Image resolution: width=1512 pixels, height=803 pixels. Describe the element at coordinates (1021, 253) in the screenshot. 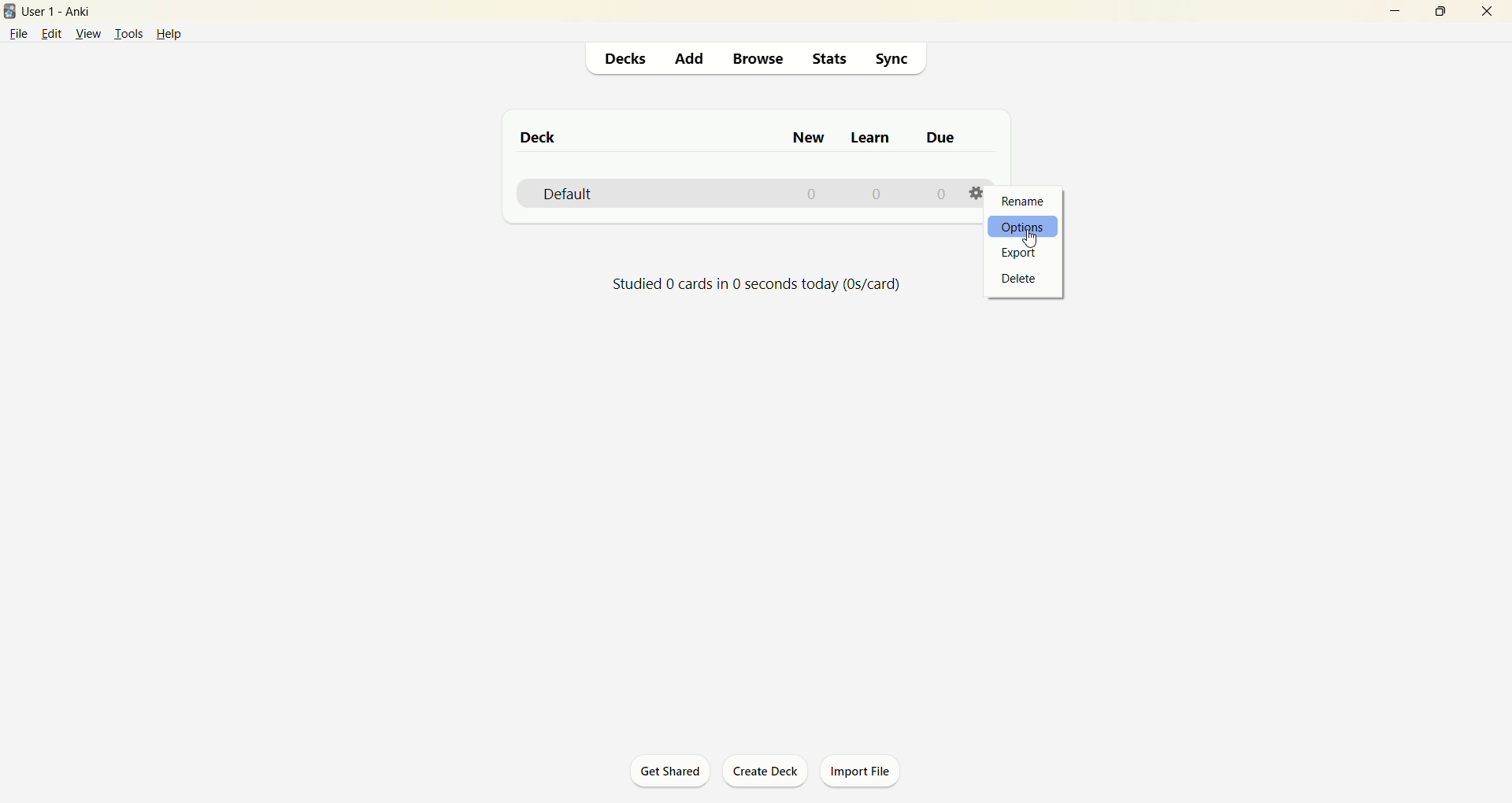

I see `export` at that location.